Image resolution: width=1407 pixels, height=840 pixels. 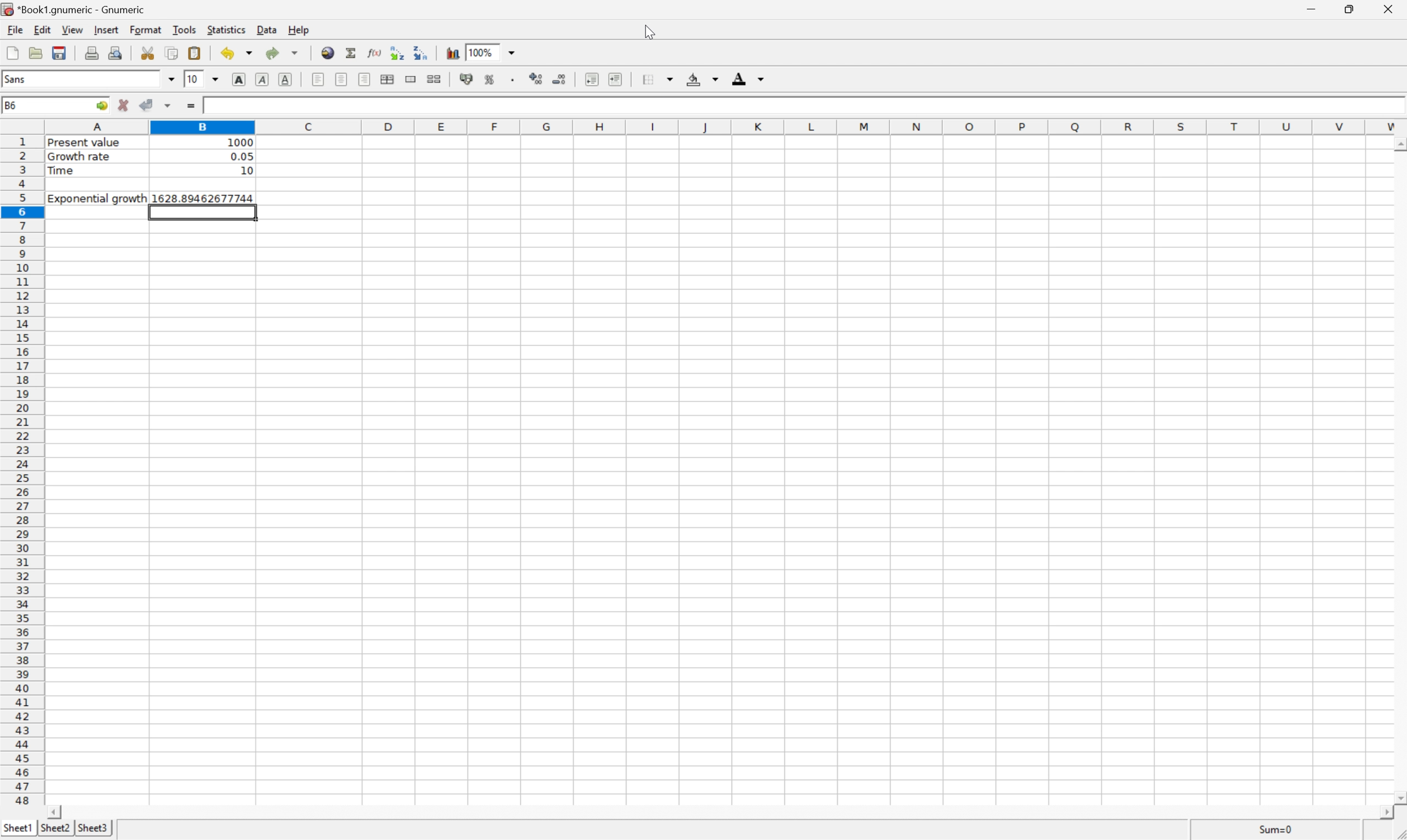 I want to click on Undo, so click(x=234, y=52).